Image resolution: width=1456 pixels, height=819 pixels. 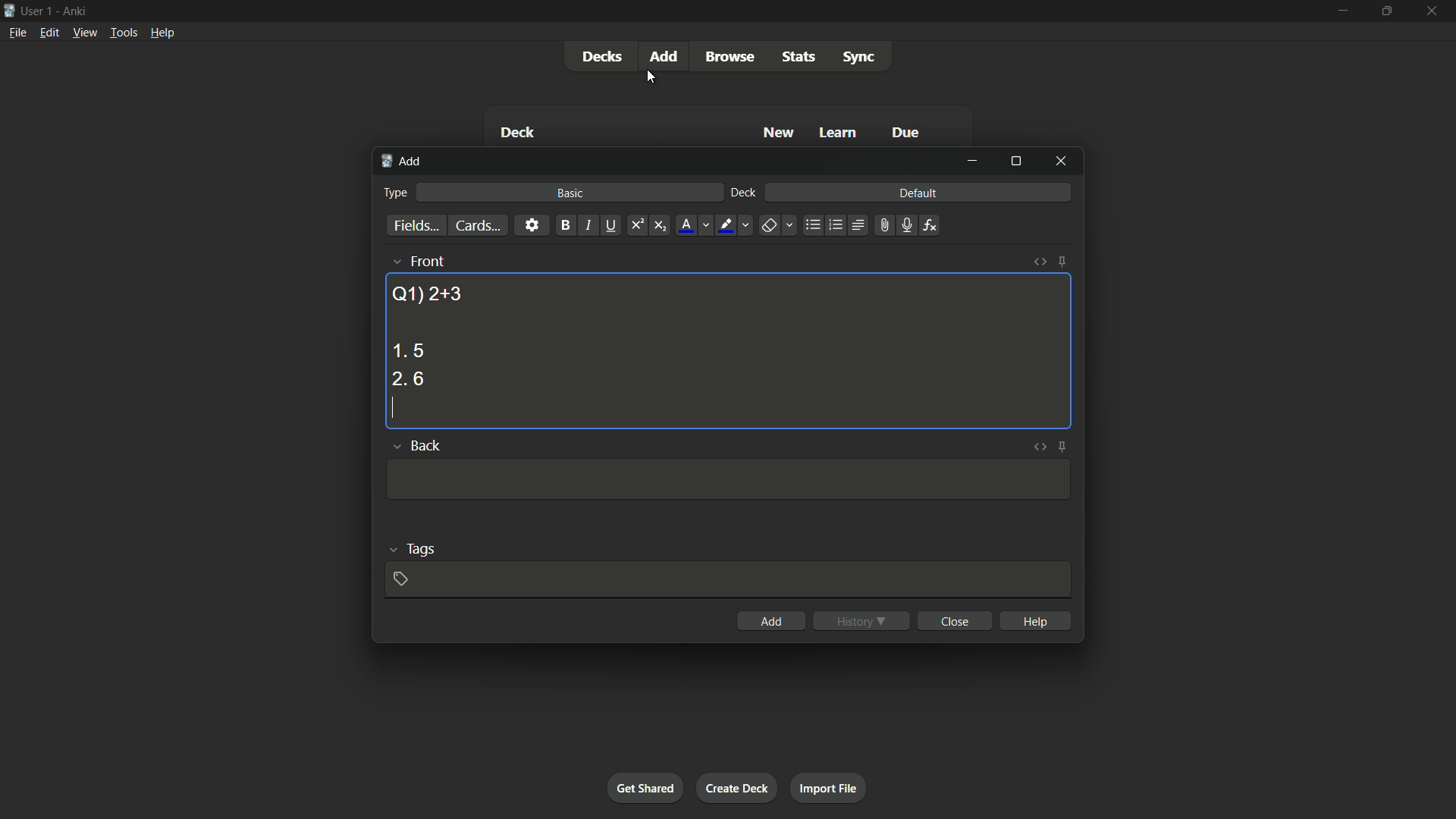 What do you see at coordinates (123, 32) in the screenshot?
I see `tools menu` at bounding box center [123, 32].